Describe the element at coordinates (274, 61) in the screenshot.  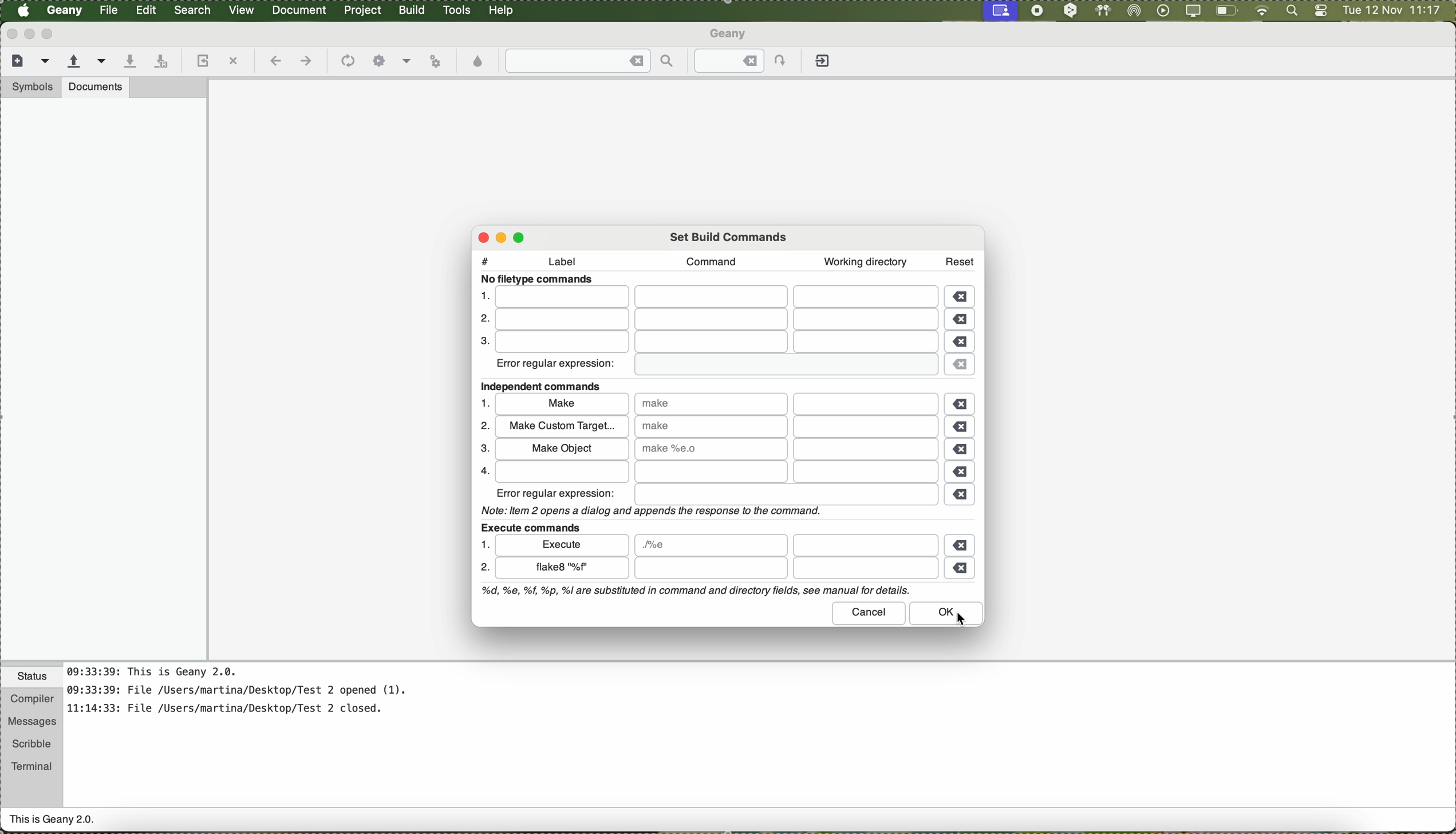
I see `navigate back a location` at that location.